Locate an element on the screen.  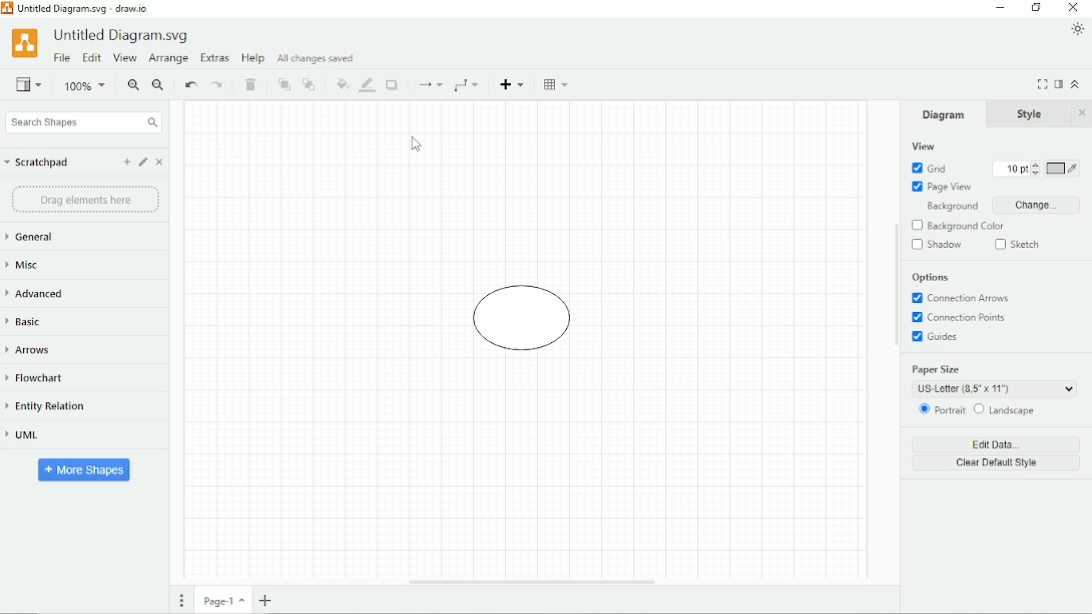
Collapse/Expand is located at coordinates (1077, 84).